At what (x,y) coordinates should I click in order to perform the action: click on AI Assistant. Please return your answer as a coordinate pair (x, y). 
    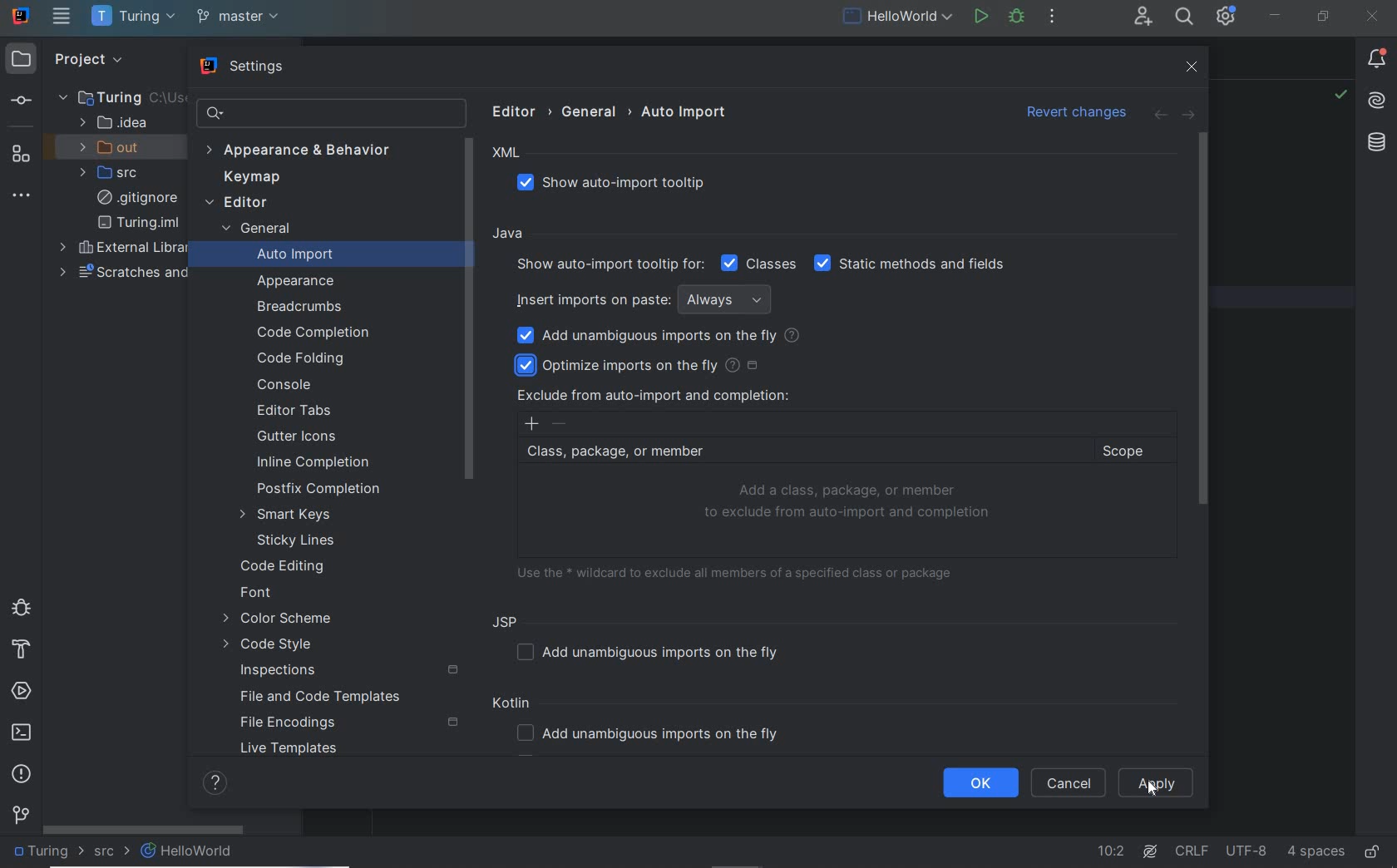
    Looking at the image, I should click on (1378, 101).